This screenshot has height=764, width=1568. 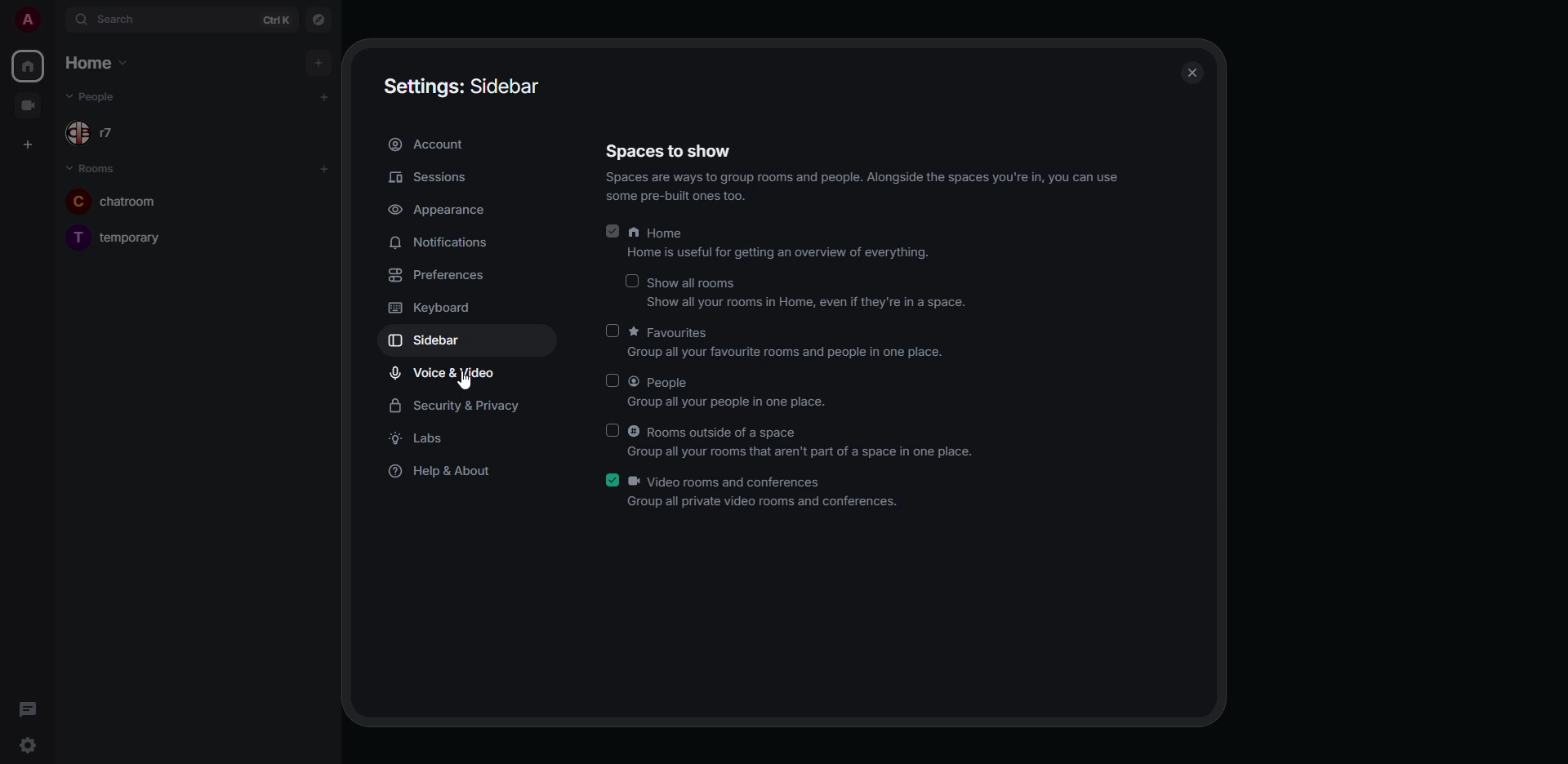 I want to click on home, so click(x=29, y=64).